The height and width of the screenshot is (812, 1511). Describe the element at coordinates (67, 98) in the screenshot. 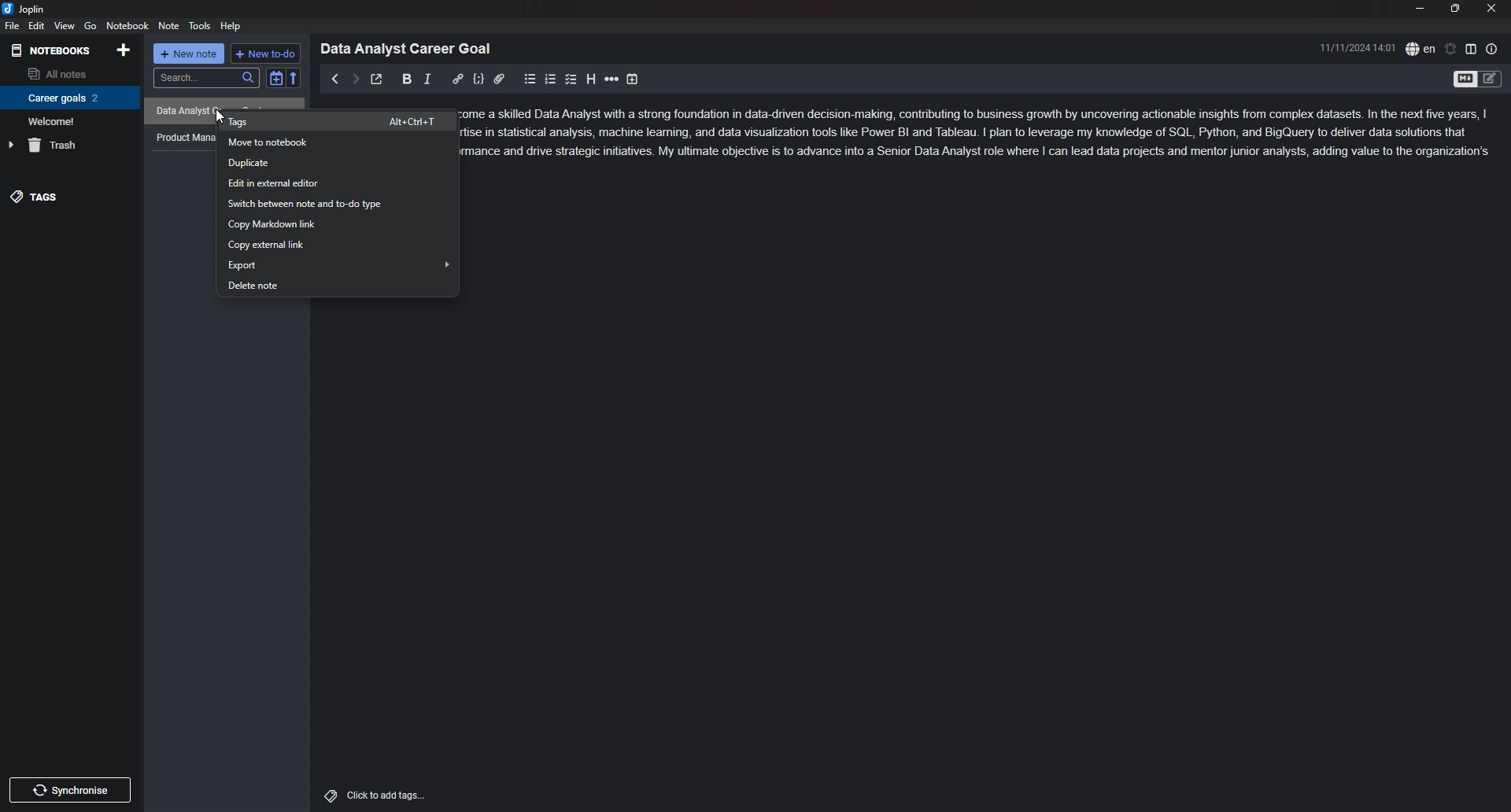

I see `Career goals 2` at that location.